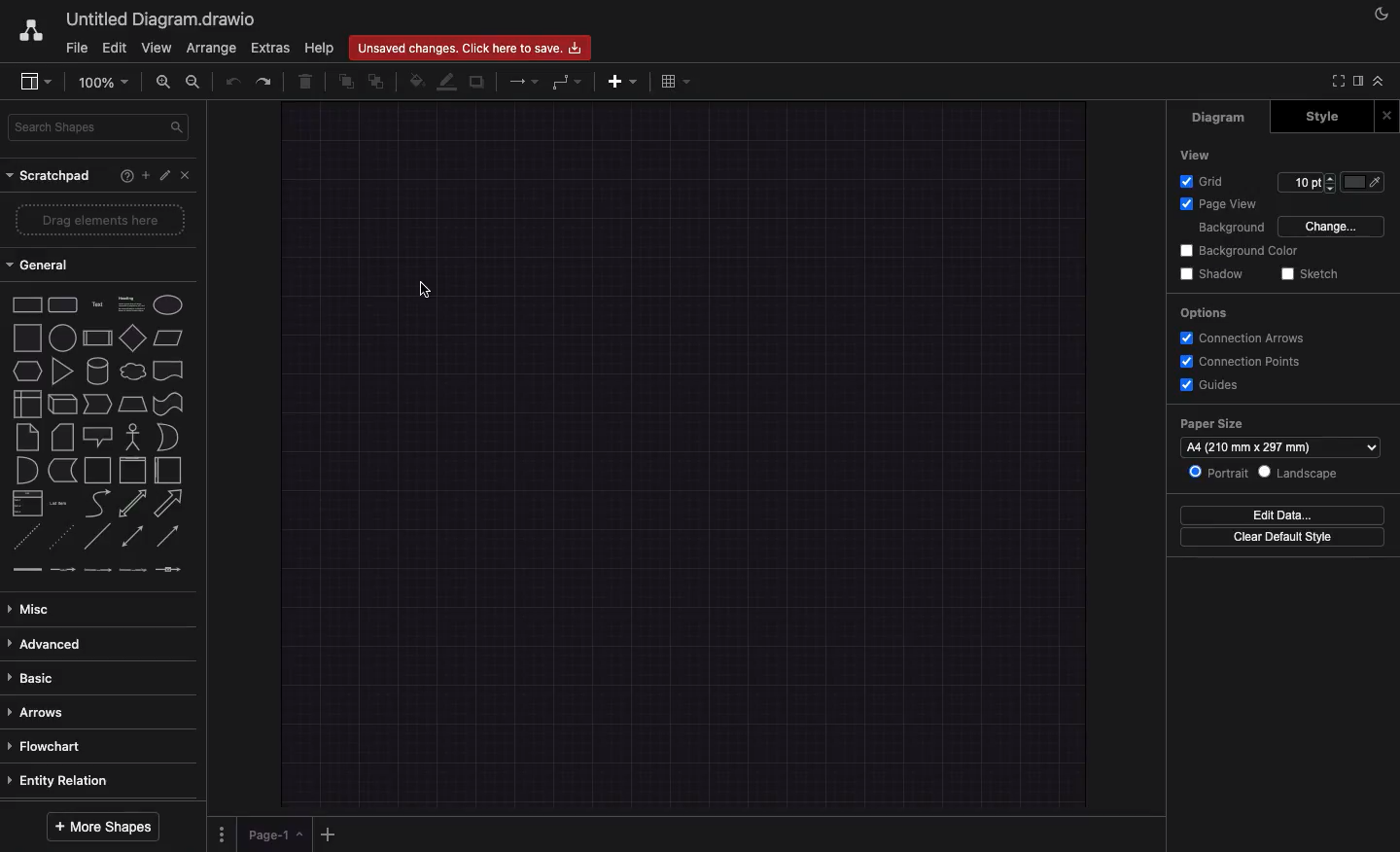  What do you see at coordinates (27, 505) in the screenshot?
I see `list` at bounding box center [27, 505].